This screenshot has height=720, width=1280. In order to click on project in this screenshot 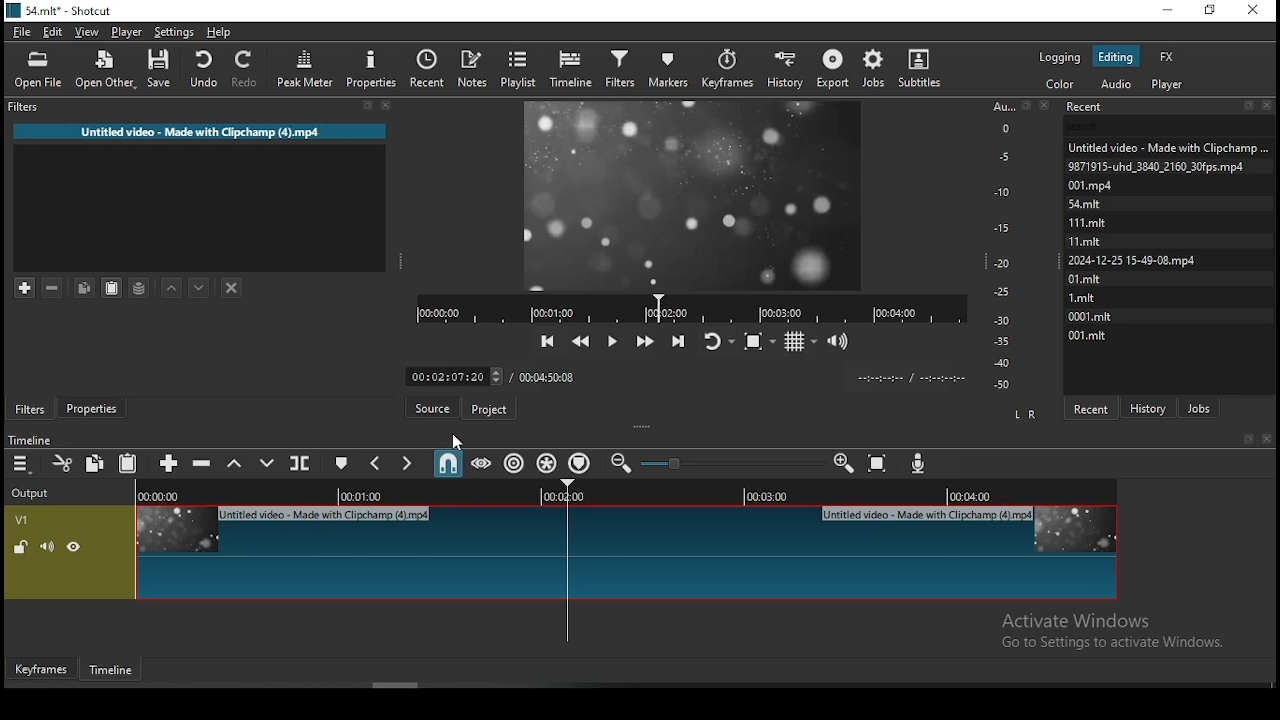, I will do `click(487, 409)`.